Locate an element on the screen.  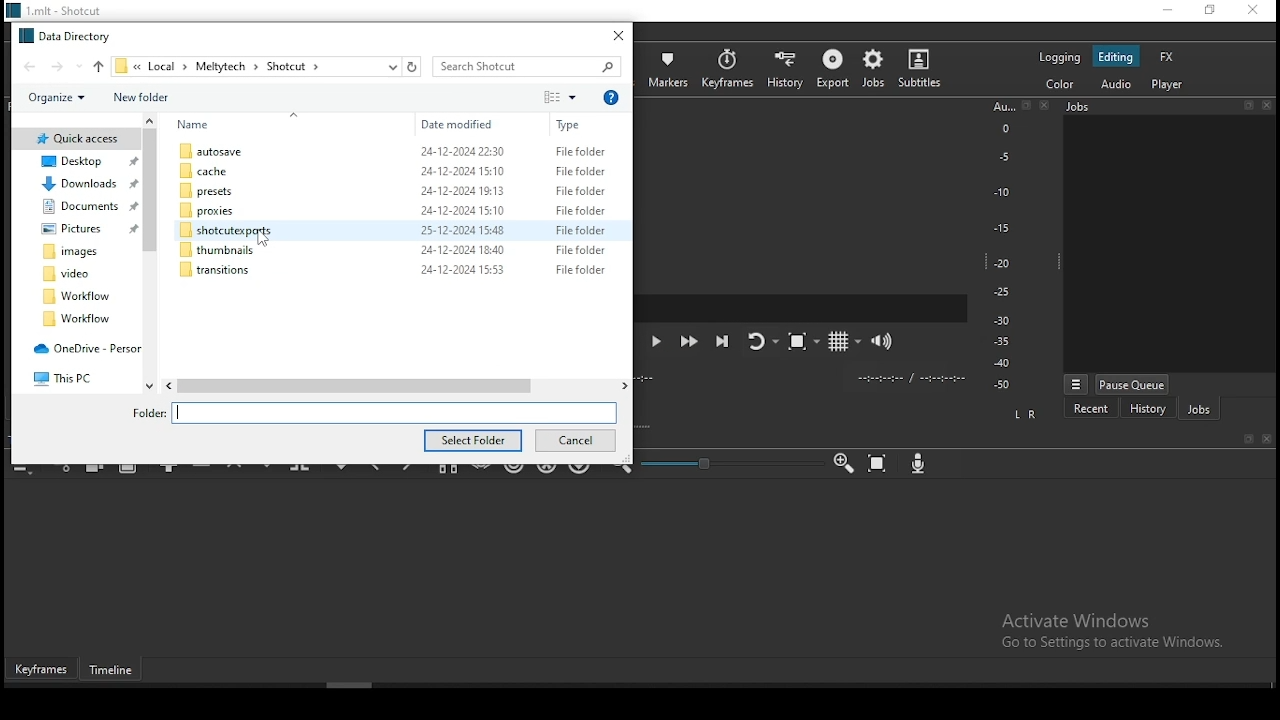
local folder is located at coordinates (217, 152).